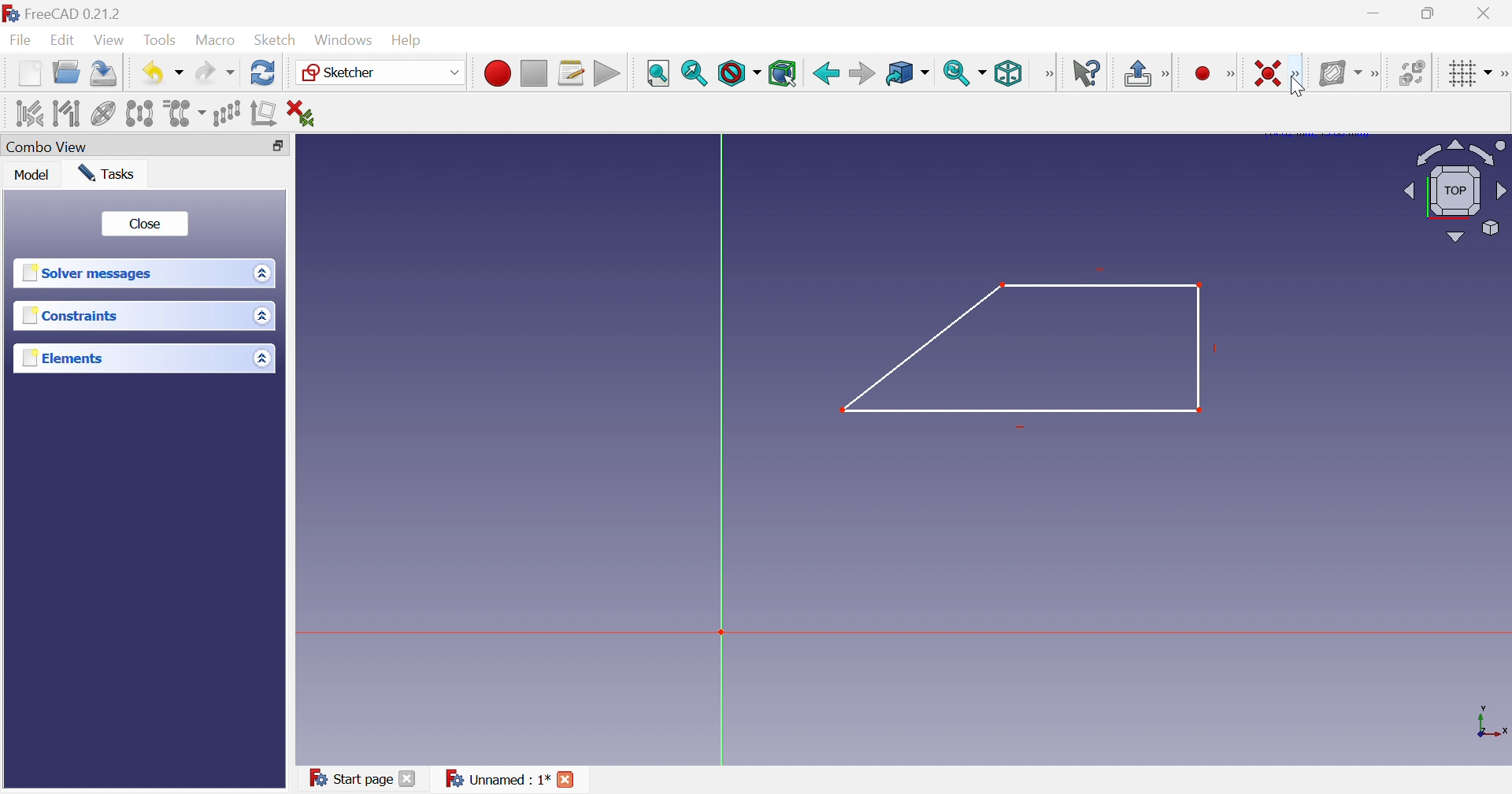 Image resolution: width=1512 pixels, height=794 pixels. I want to click on Back, so click(825, 72).